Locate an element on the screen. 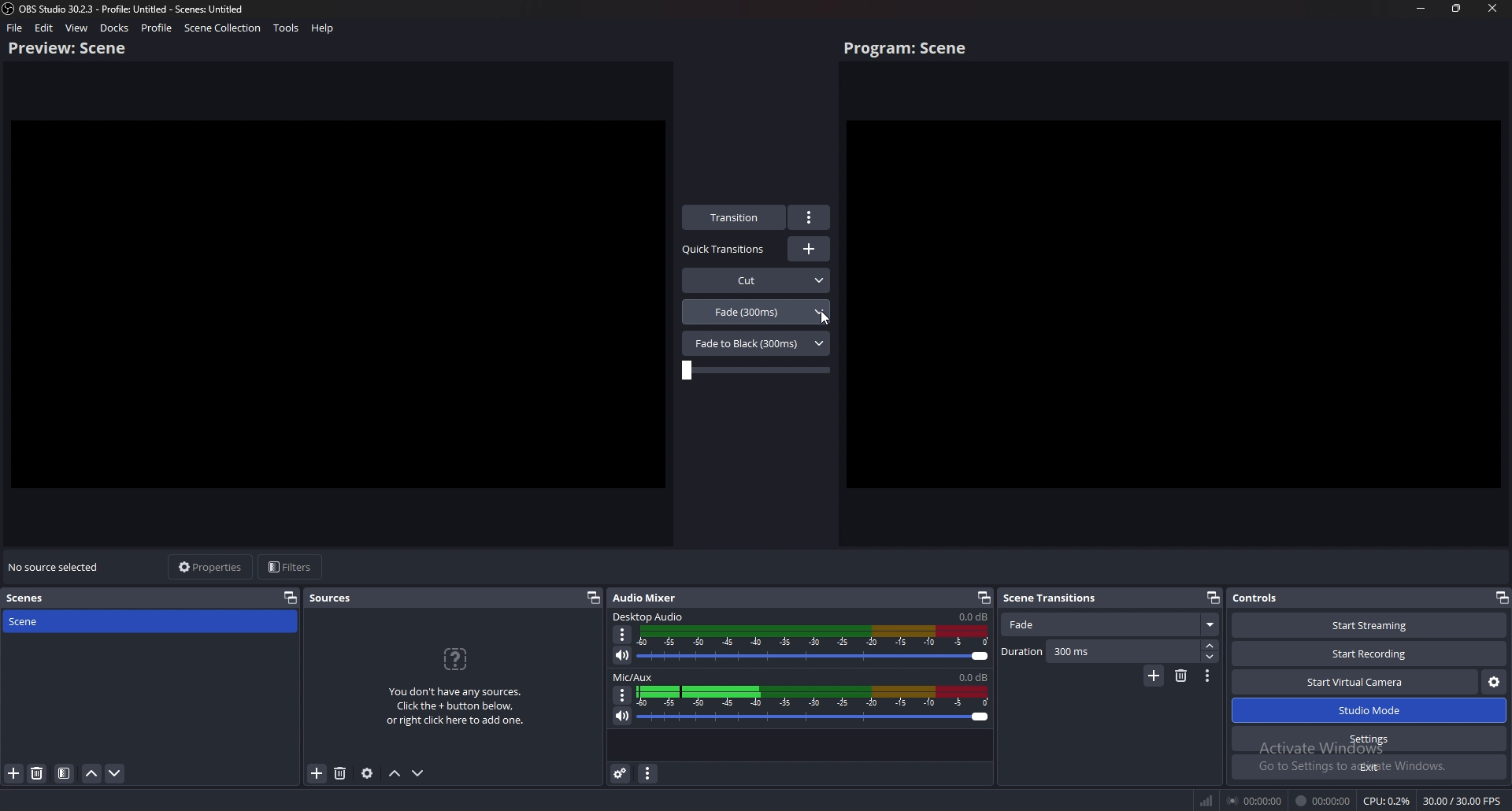  Start streaming is located at coordinates (1366, 624).